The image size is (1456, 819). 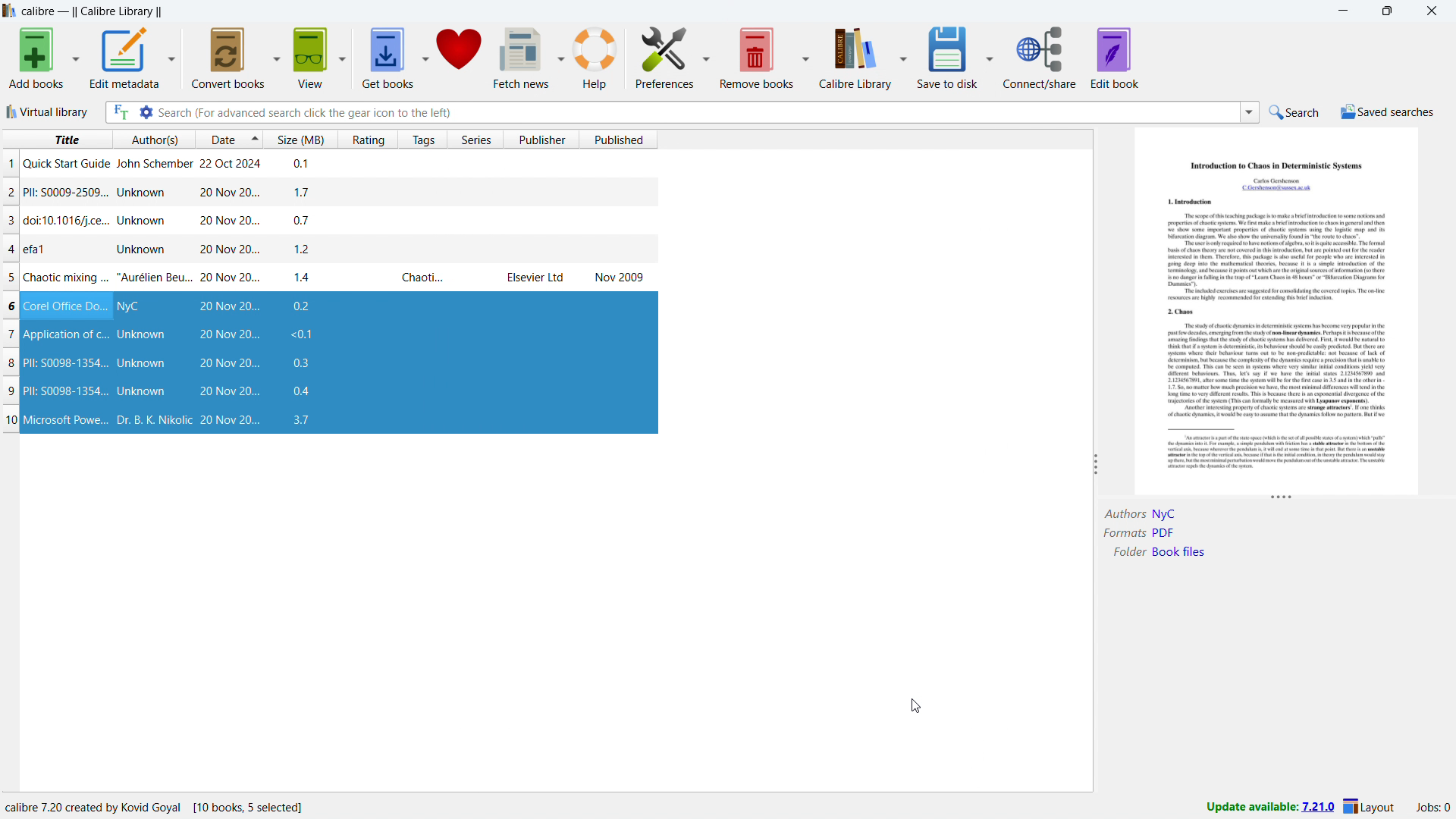 What do you see at coordinates (146, 139) in the screenshot?
I see `sort by author` at bounding box center [146, 139].